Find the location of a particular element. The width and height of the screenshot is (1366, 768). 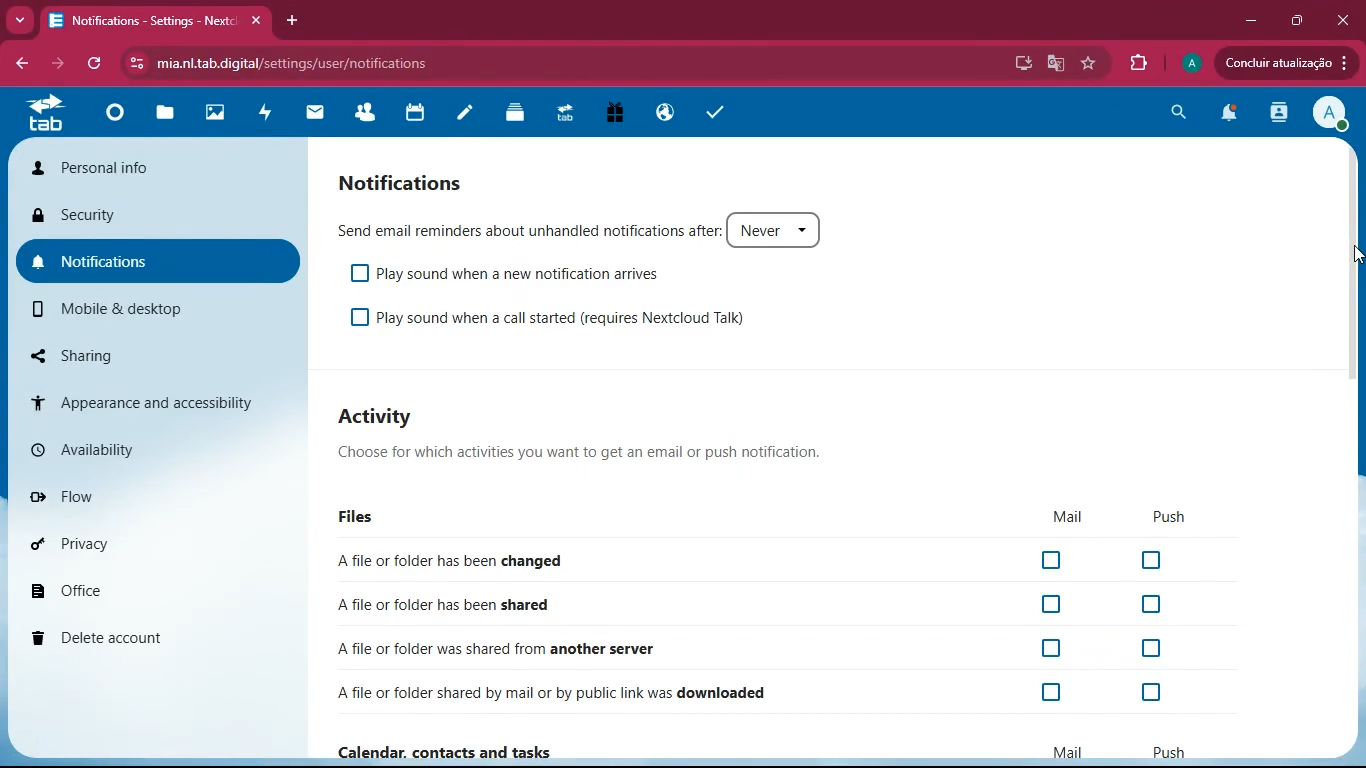

Close is located at coordinates (1344, 19).